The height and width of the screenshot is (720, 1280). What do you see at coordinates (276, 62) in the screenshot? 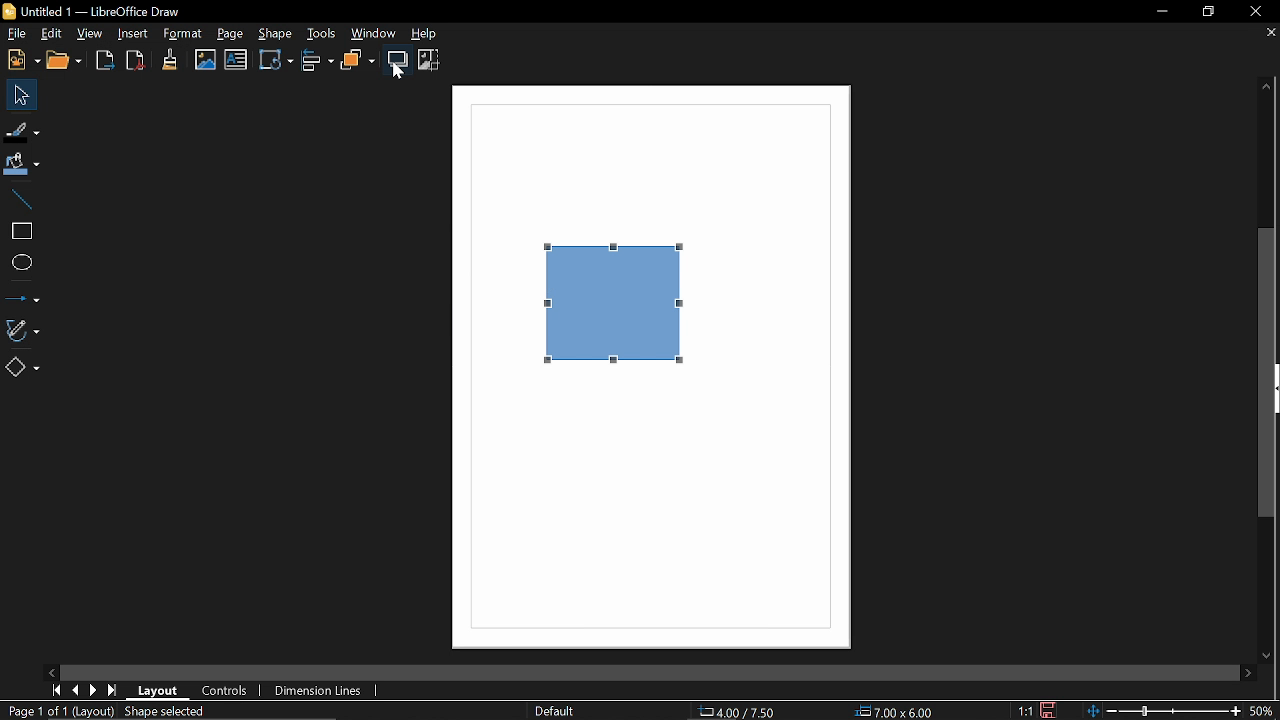
I see `Transformation` at bounding box center [276, 62].